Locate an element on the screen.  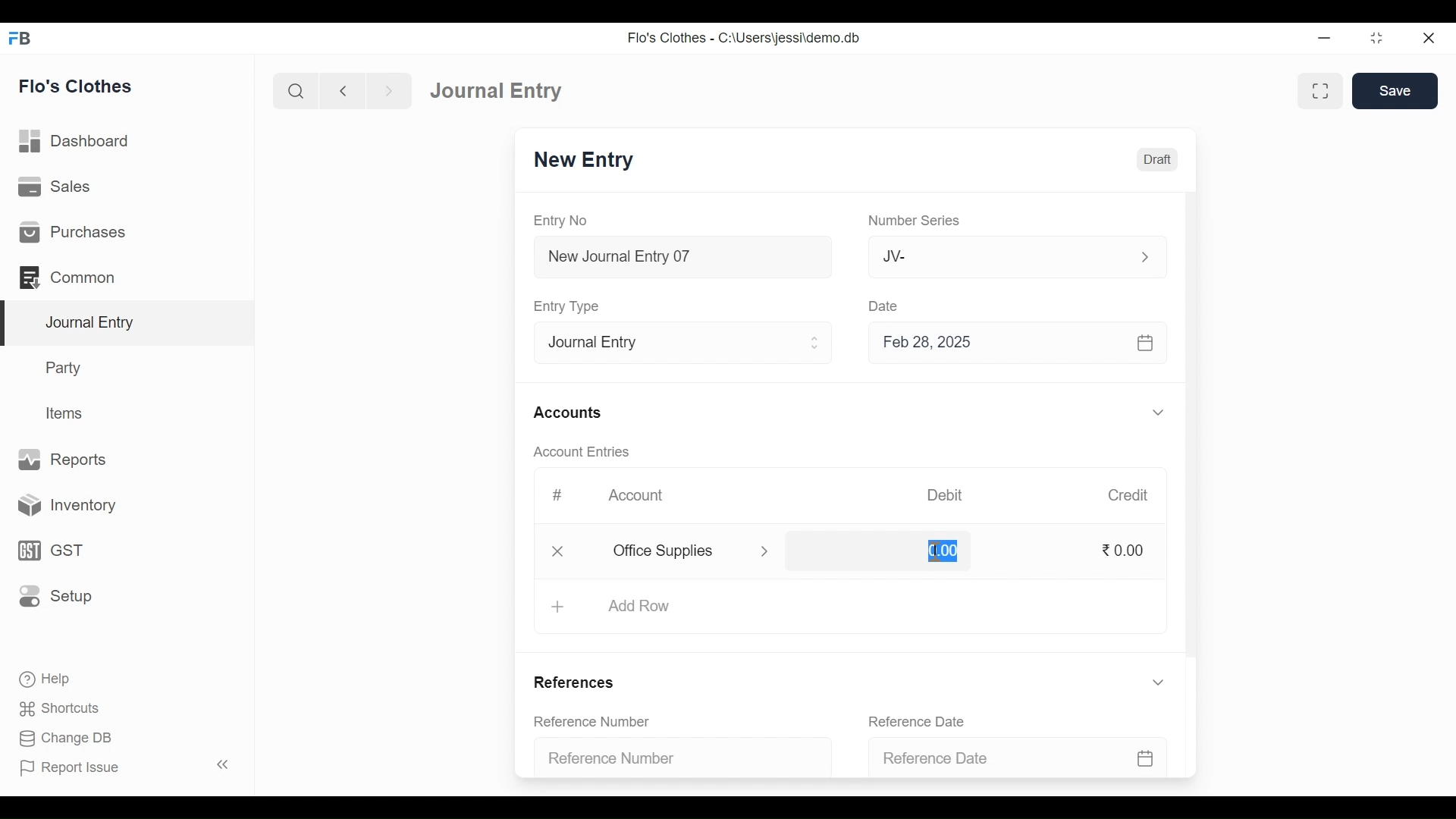
Items is located at coordinates (67, 413).